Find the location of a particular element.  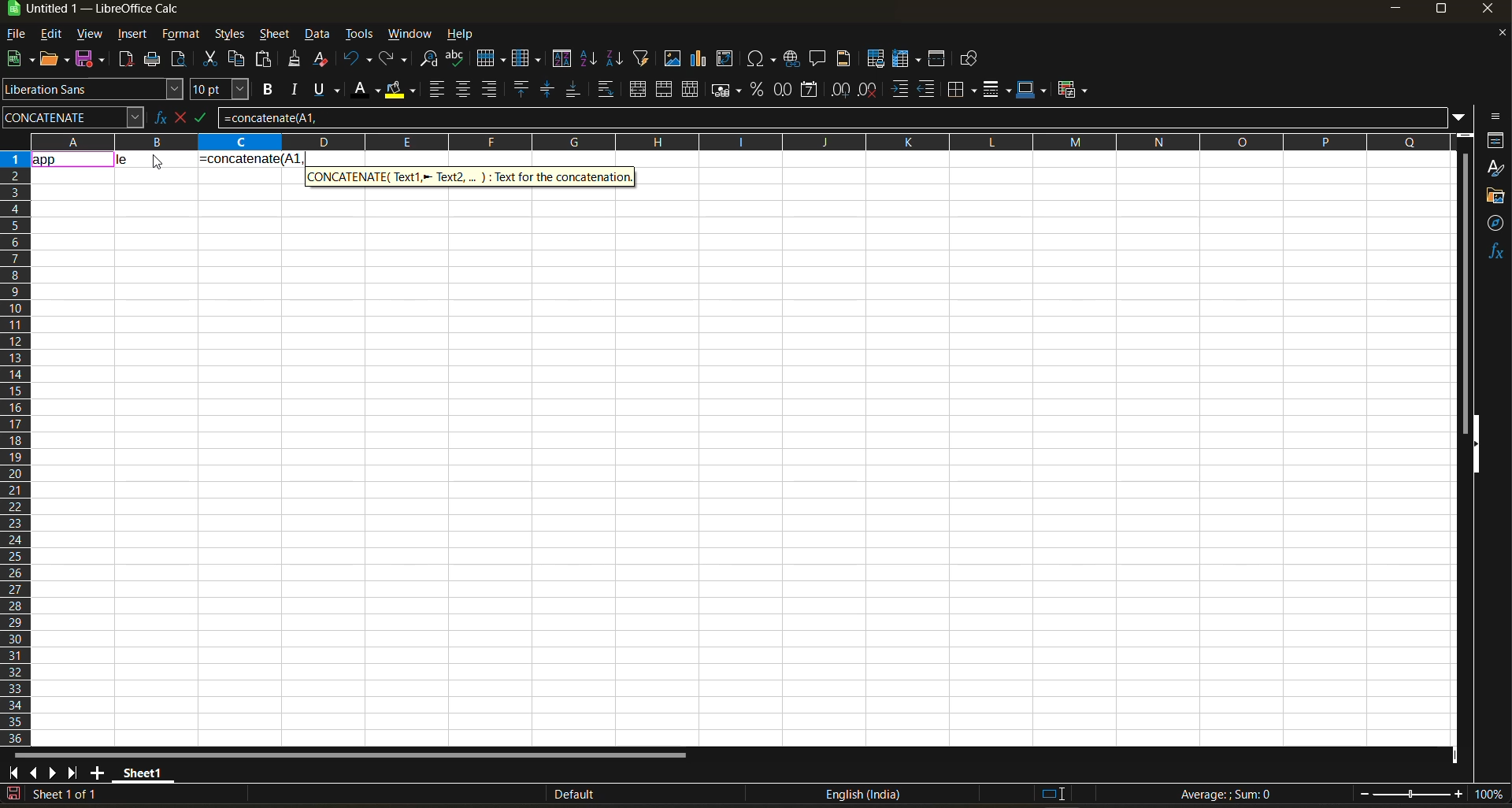

cell address is located at coordinates (72, 117).